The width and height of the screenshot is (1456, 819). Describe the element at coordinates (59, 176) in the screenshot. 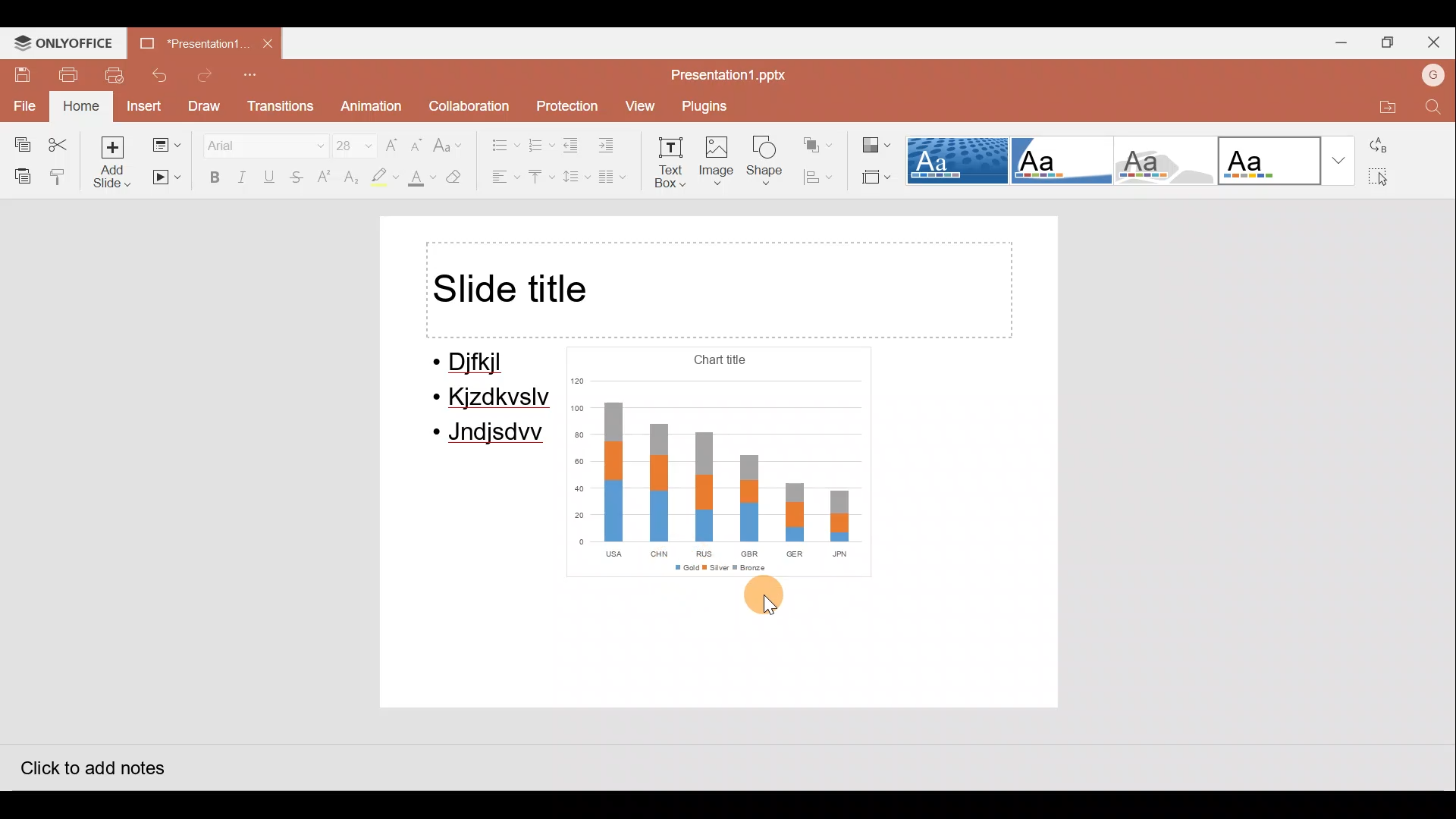

I see `Copy style` at that location.